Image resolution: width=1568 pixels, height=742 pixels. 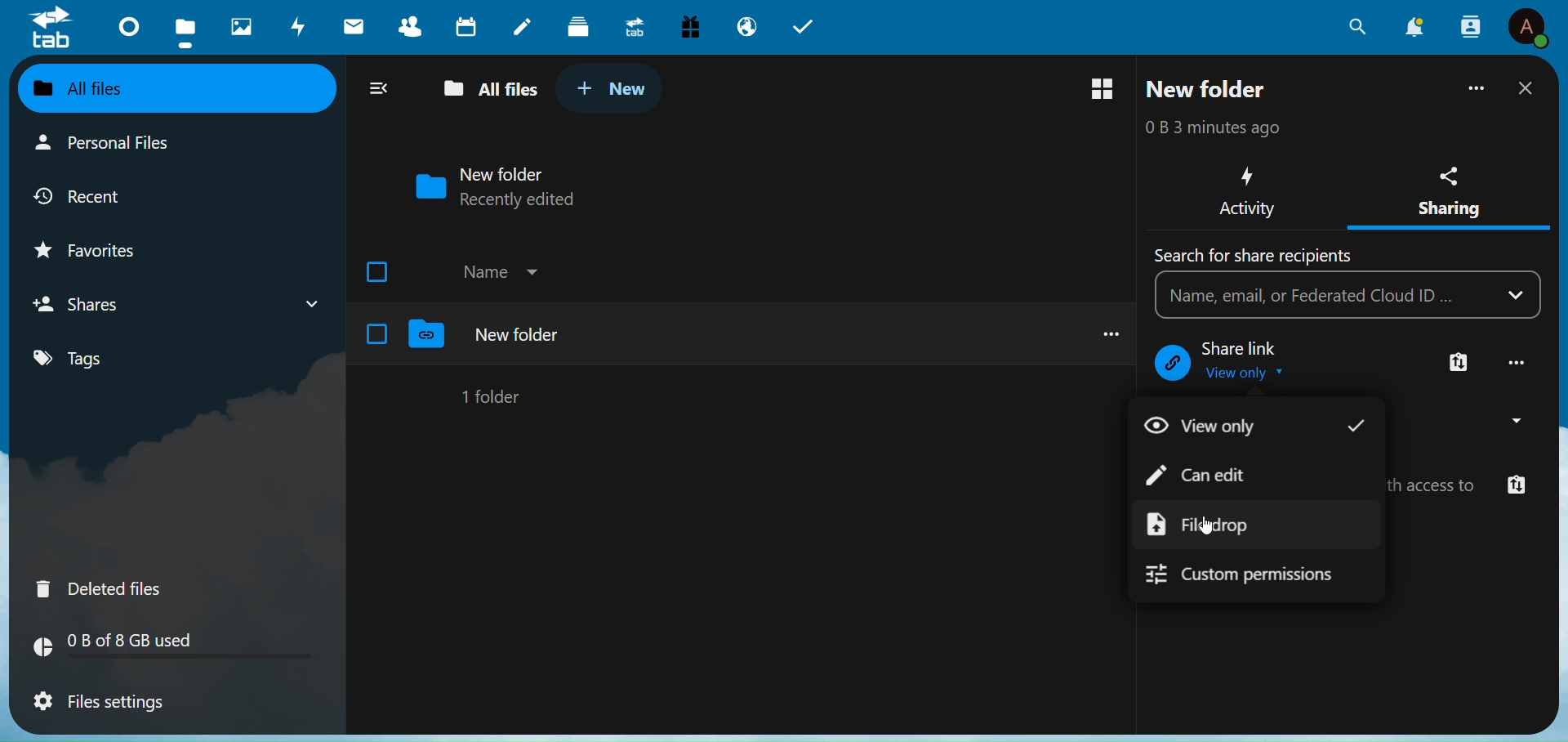 What do you see at coordinates (1253, 374) in the screenshot?
I see `View Only` at bounding box center [1253, 374].